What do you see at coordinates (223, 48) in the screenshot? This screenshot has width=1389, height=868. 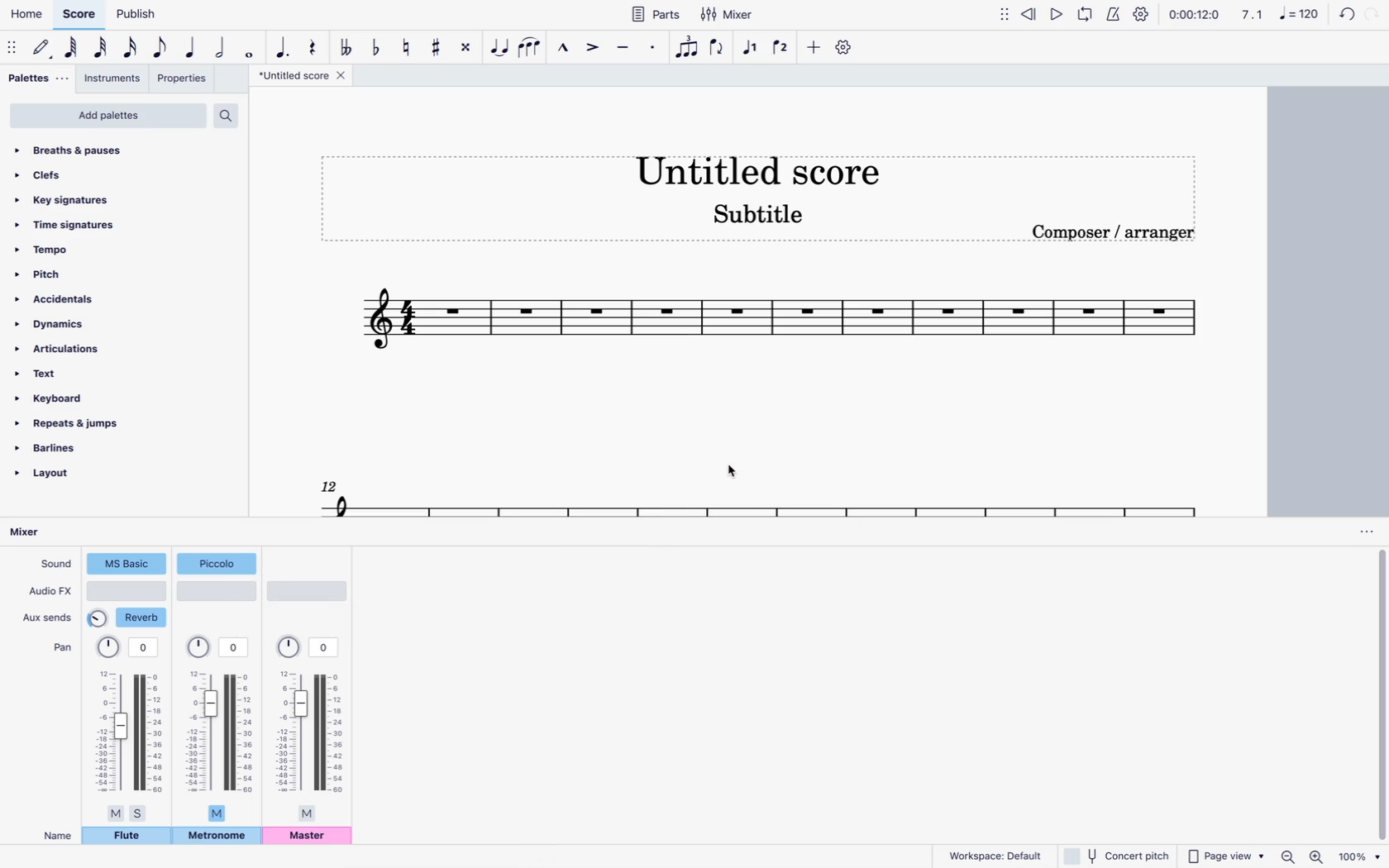 I see `half note` at bounding box center [223, 48].